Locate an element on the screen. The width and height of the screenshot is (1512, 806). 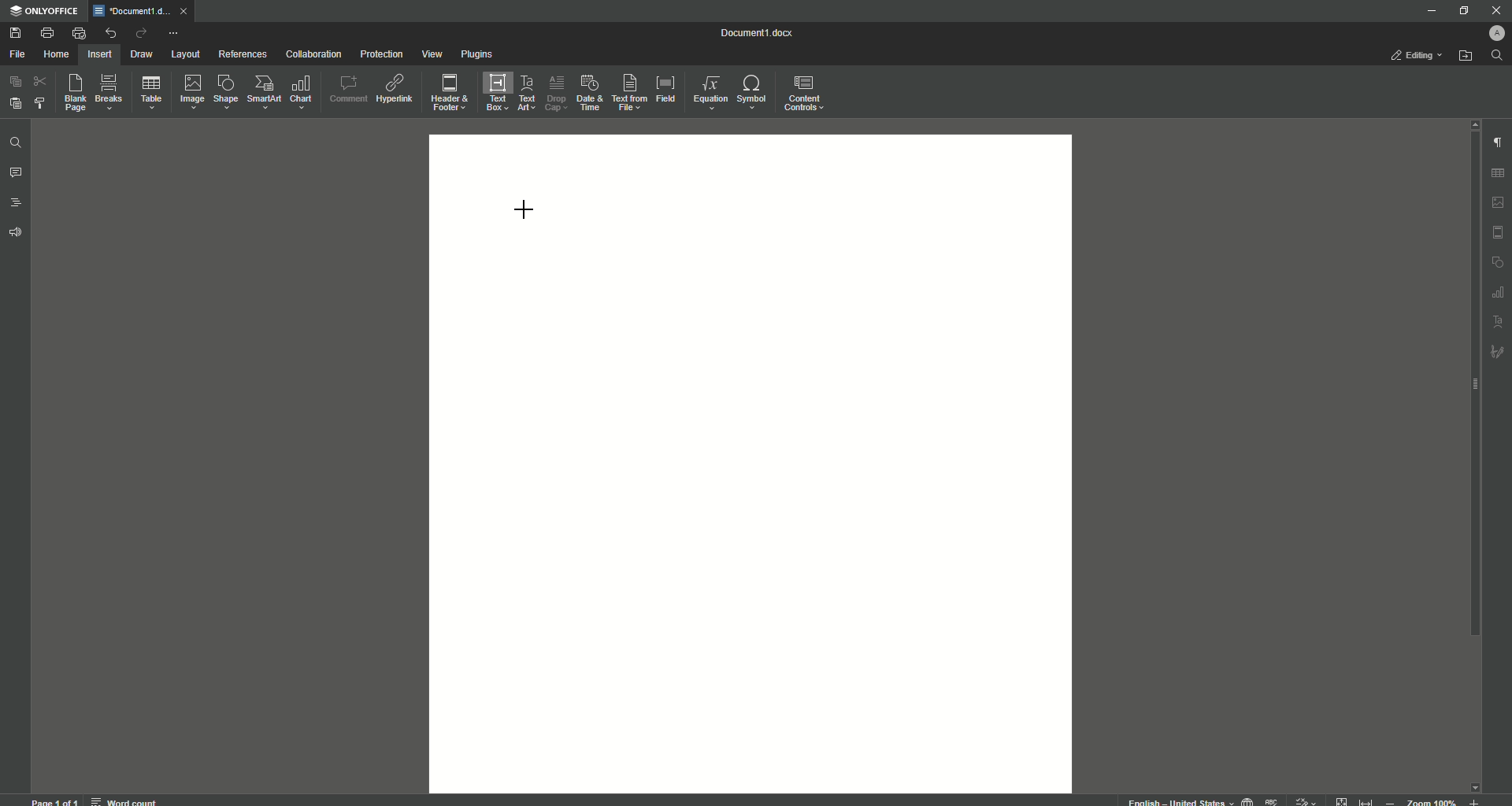
Layout is located at coordinates (185, 54).